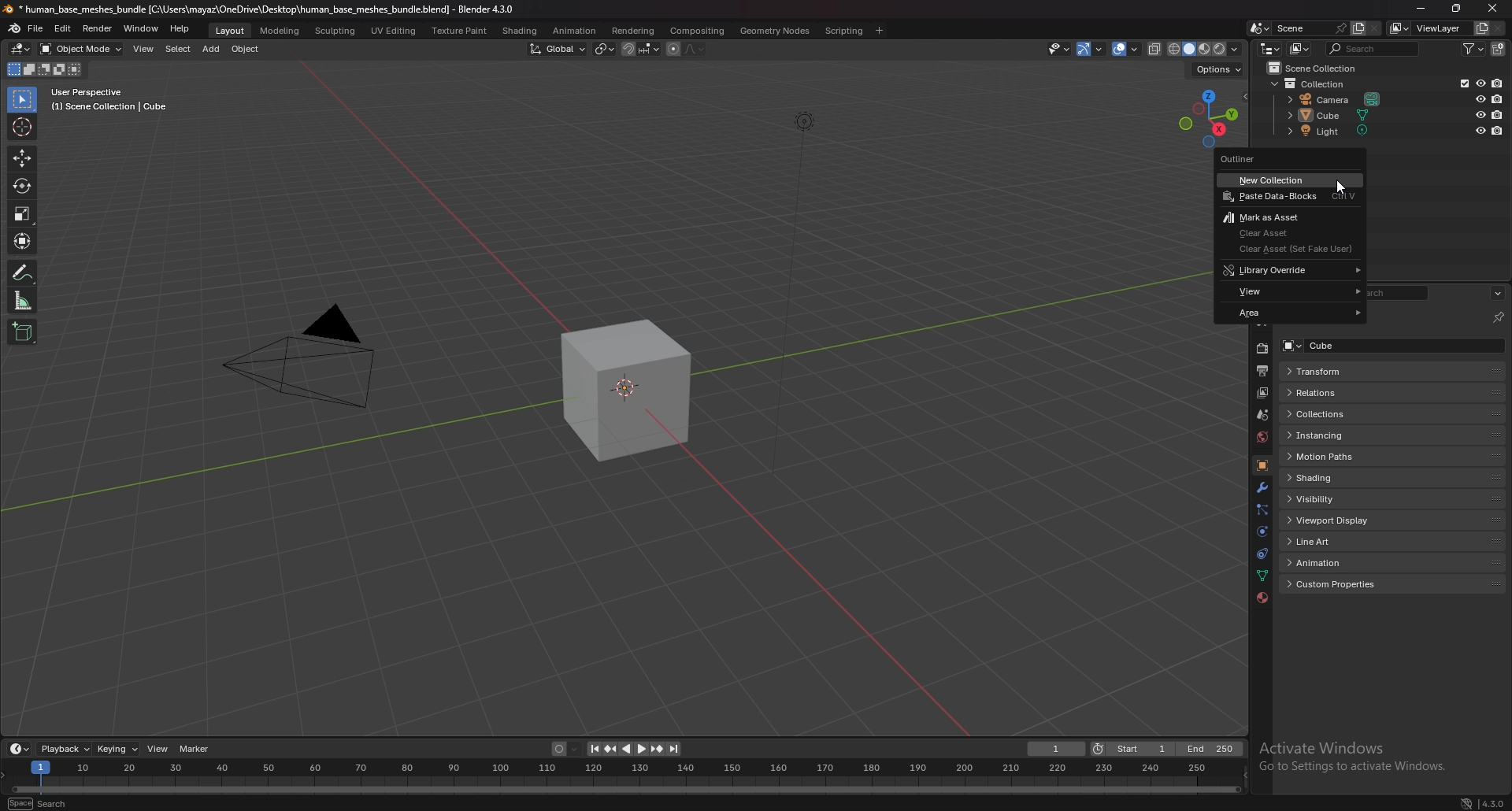 The height and width of the screenshot is (811, 1512). What do you see at coordinates (610, 749) in the screenshot?
I see `jump to keyframe` at bounding box center [610, 749].